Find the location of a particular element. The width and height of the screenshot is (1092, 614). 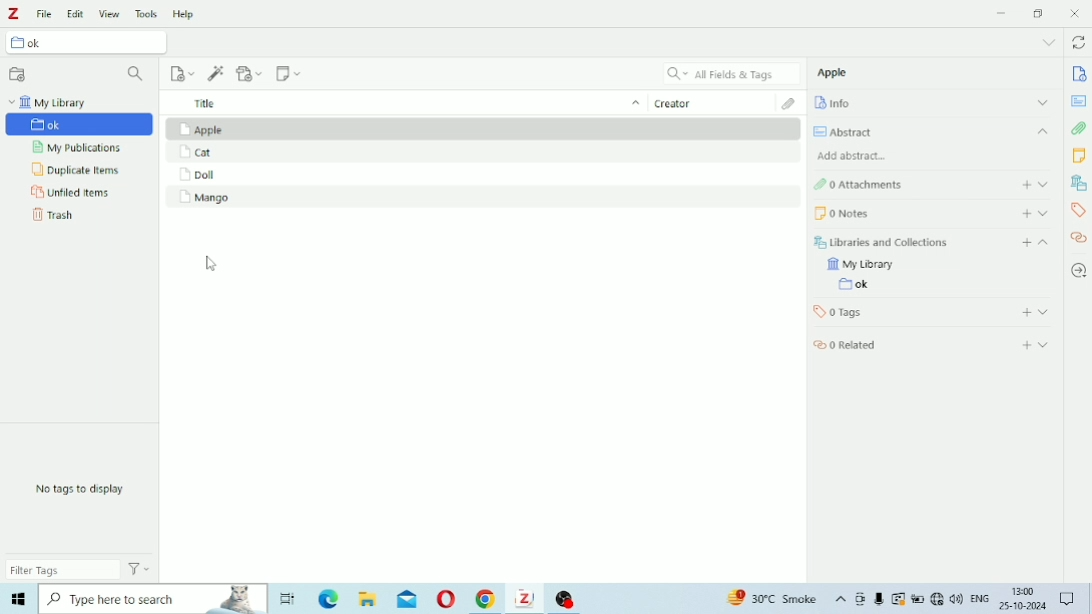

Info is located at coordinates (1080, 75).